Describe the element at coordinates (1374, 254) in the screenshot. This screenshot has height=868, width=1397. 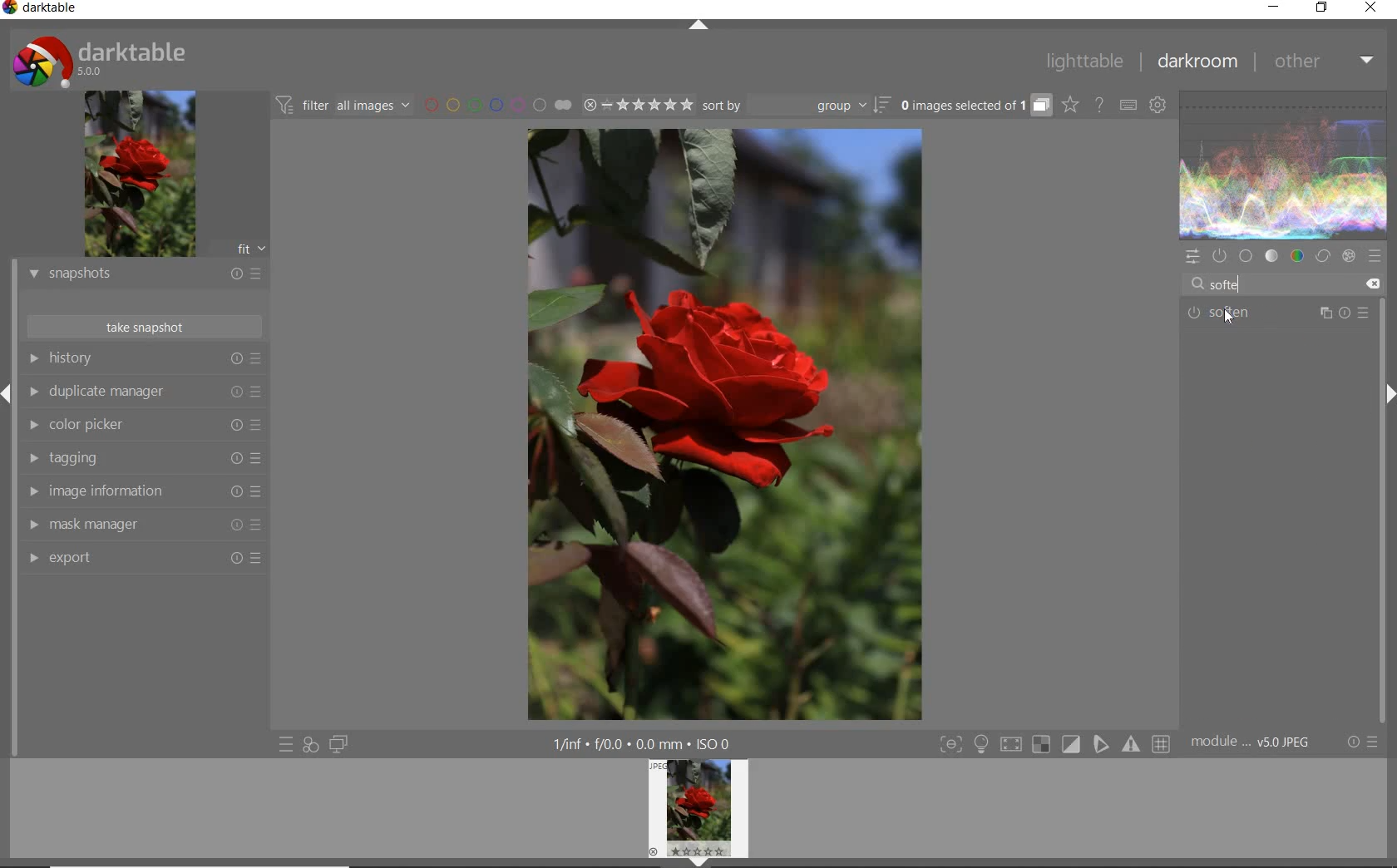
I see `presets` at that location.